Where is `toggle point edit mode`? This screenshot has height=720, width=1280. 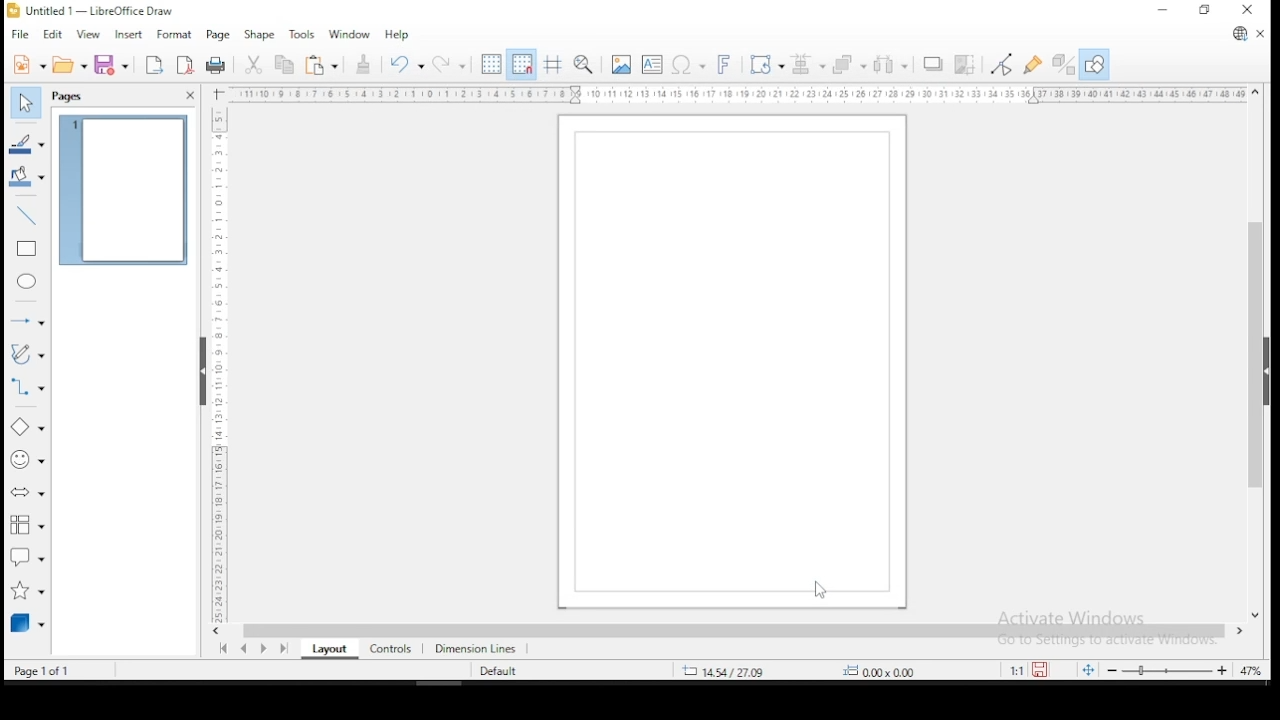 toggle point edit mode is located at coordinates (1004, 64).